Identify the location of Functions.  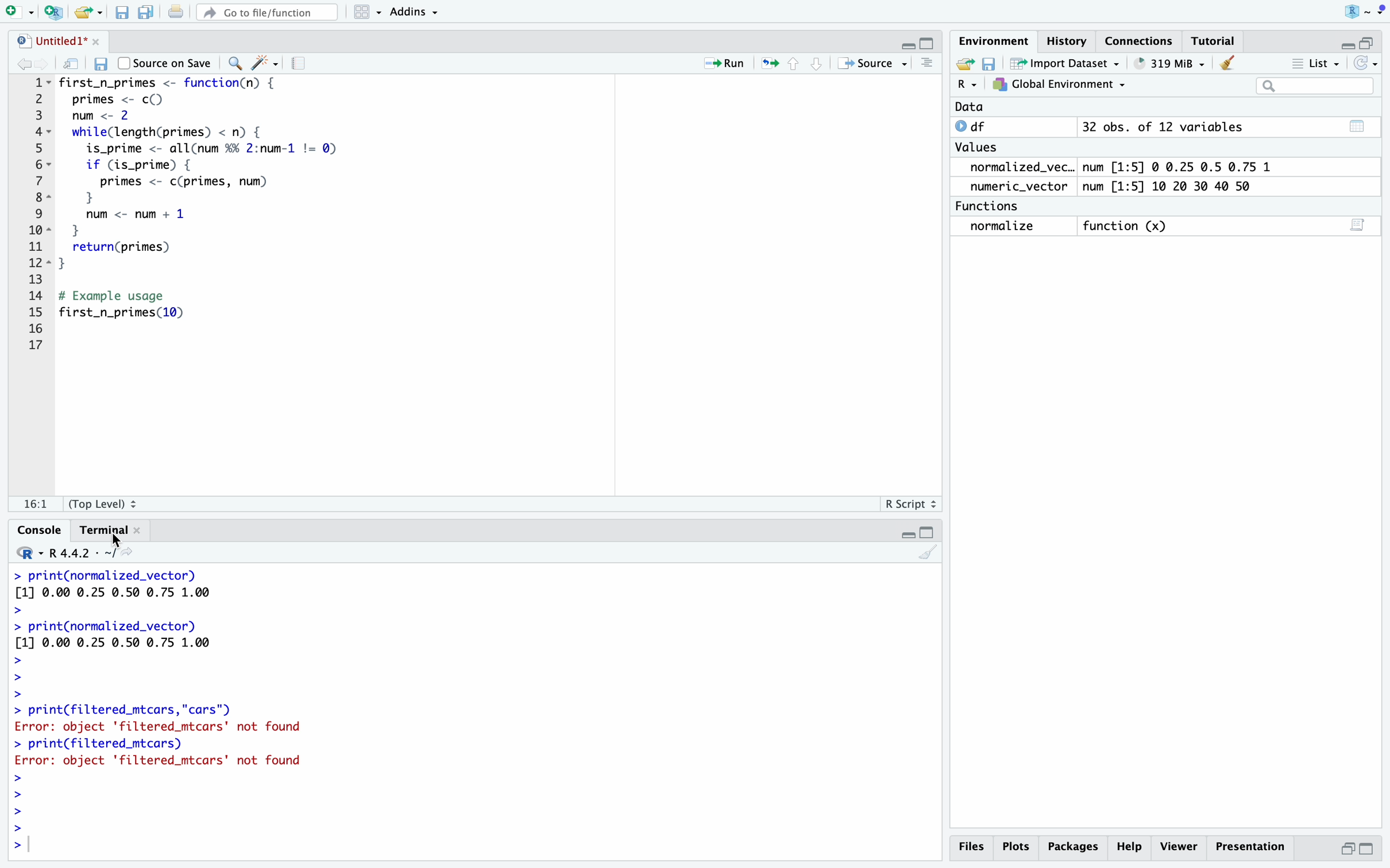
(999, 206).